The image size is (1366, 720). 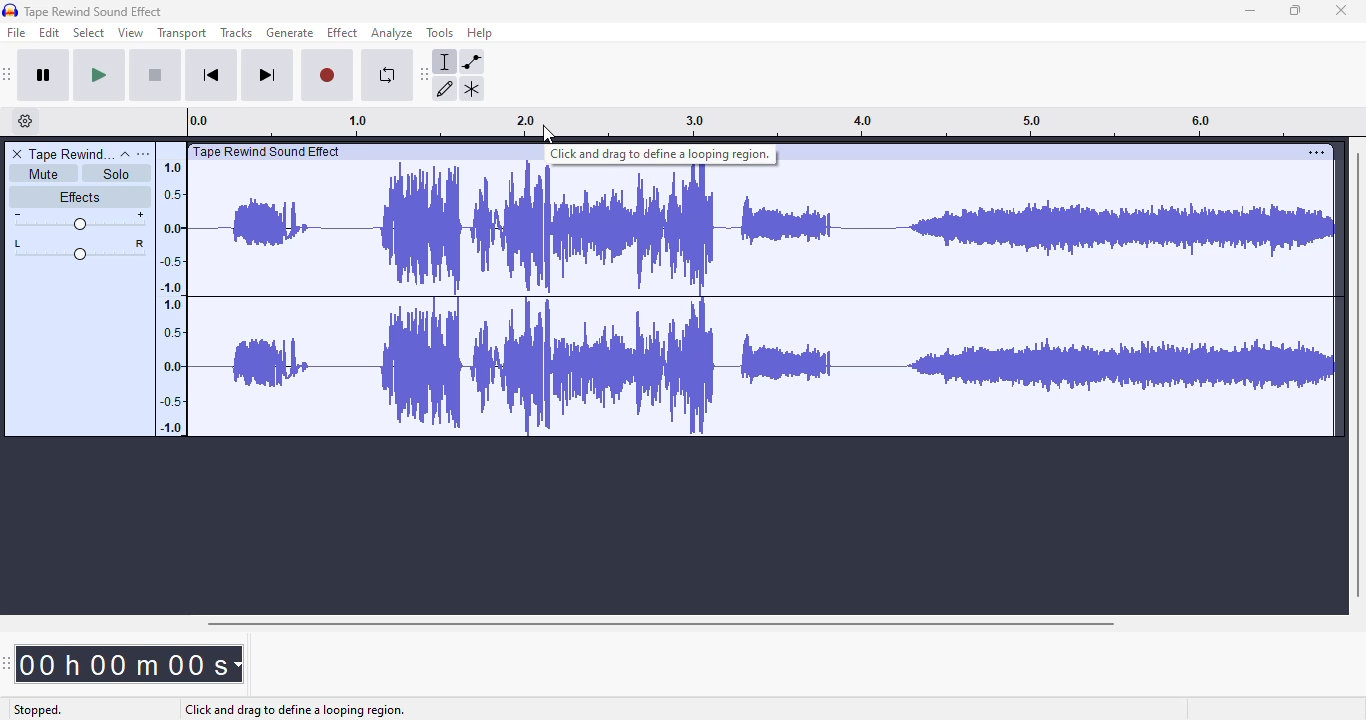 I want to click on edit, so click(x=50, y=33).